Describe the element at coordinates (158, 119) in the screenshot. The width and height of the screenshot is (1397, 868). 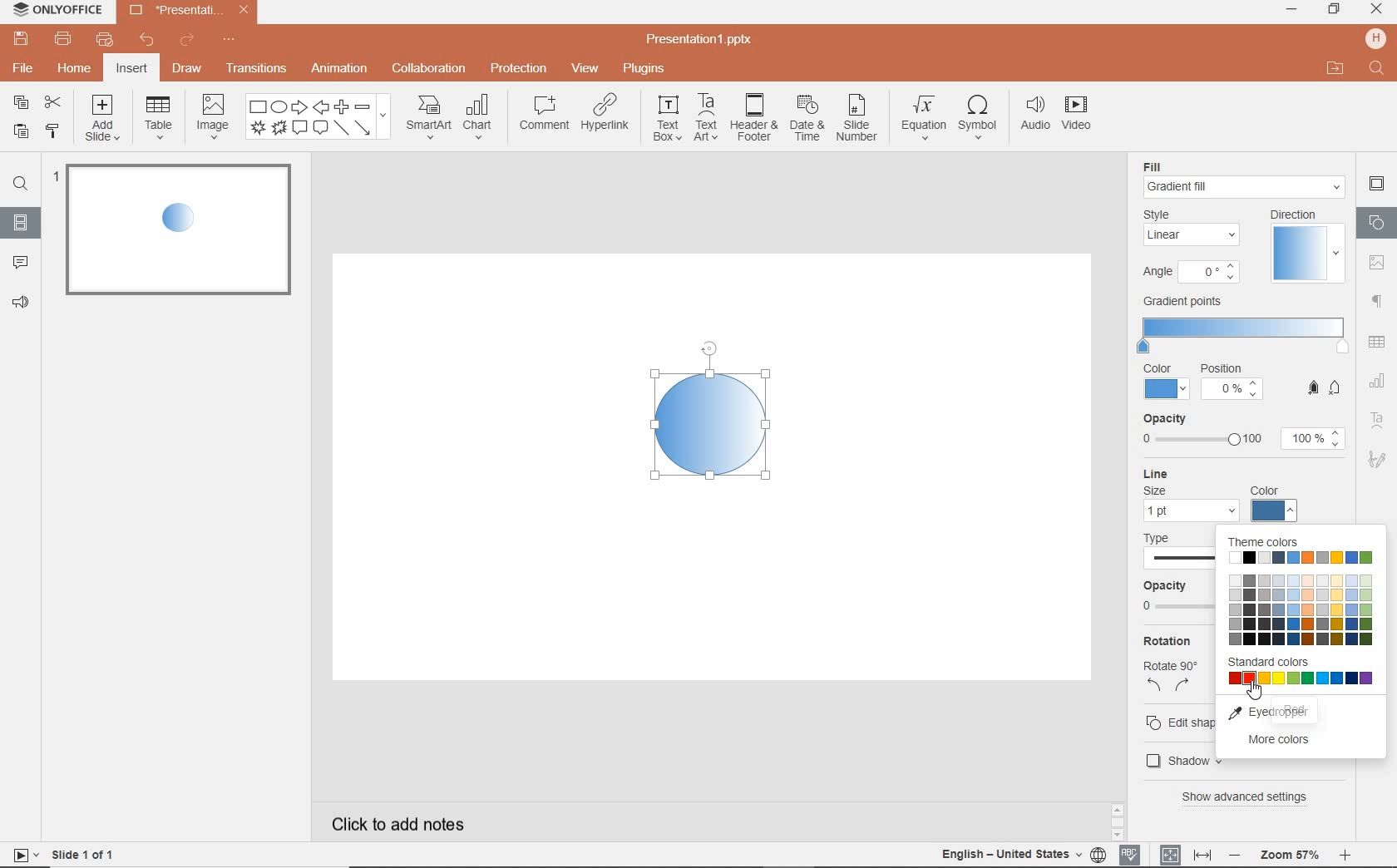
I see `table` at that location.